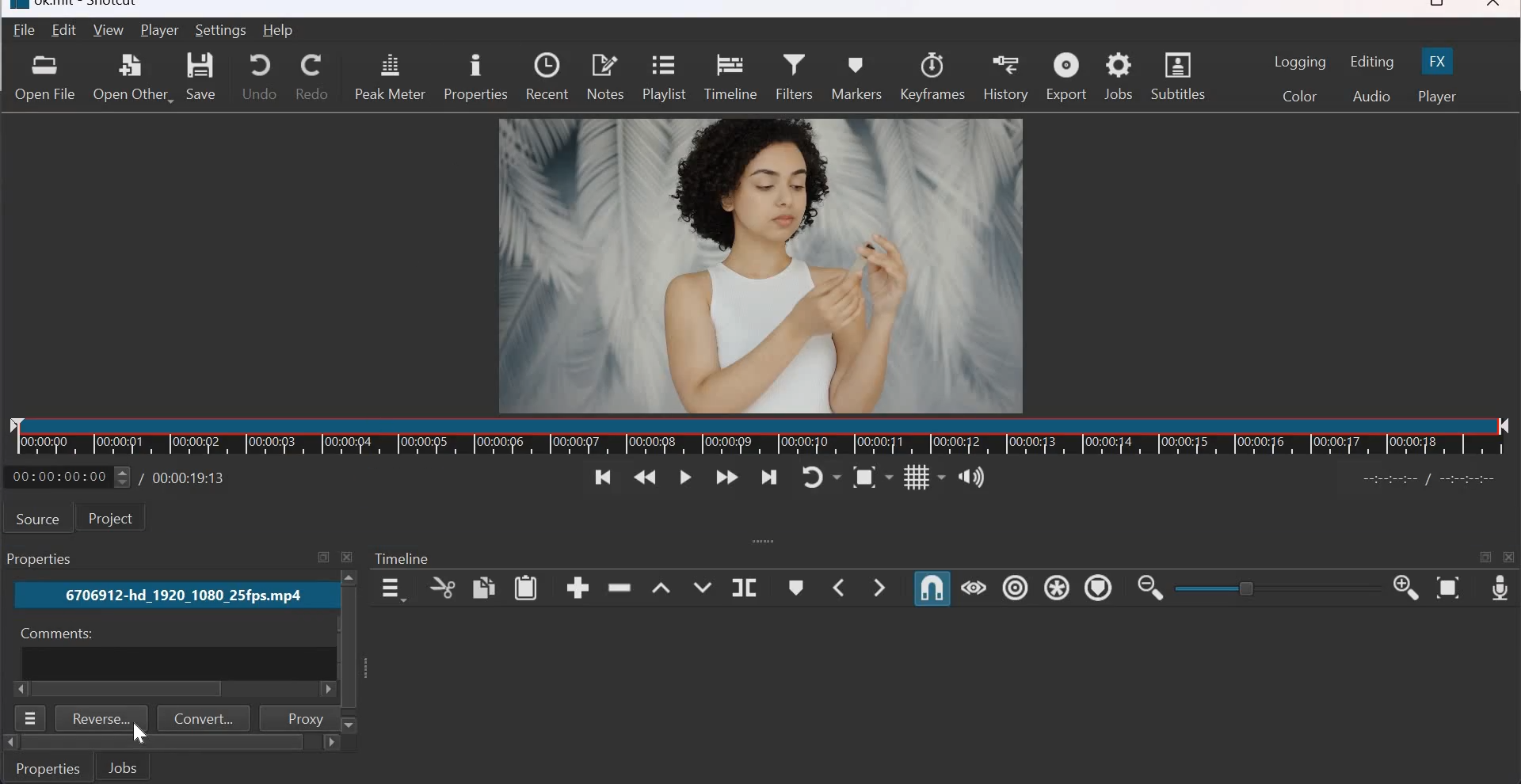  I want to click on Play quickly backwards, so click(646, 478).